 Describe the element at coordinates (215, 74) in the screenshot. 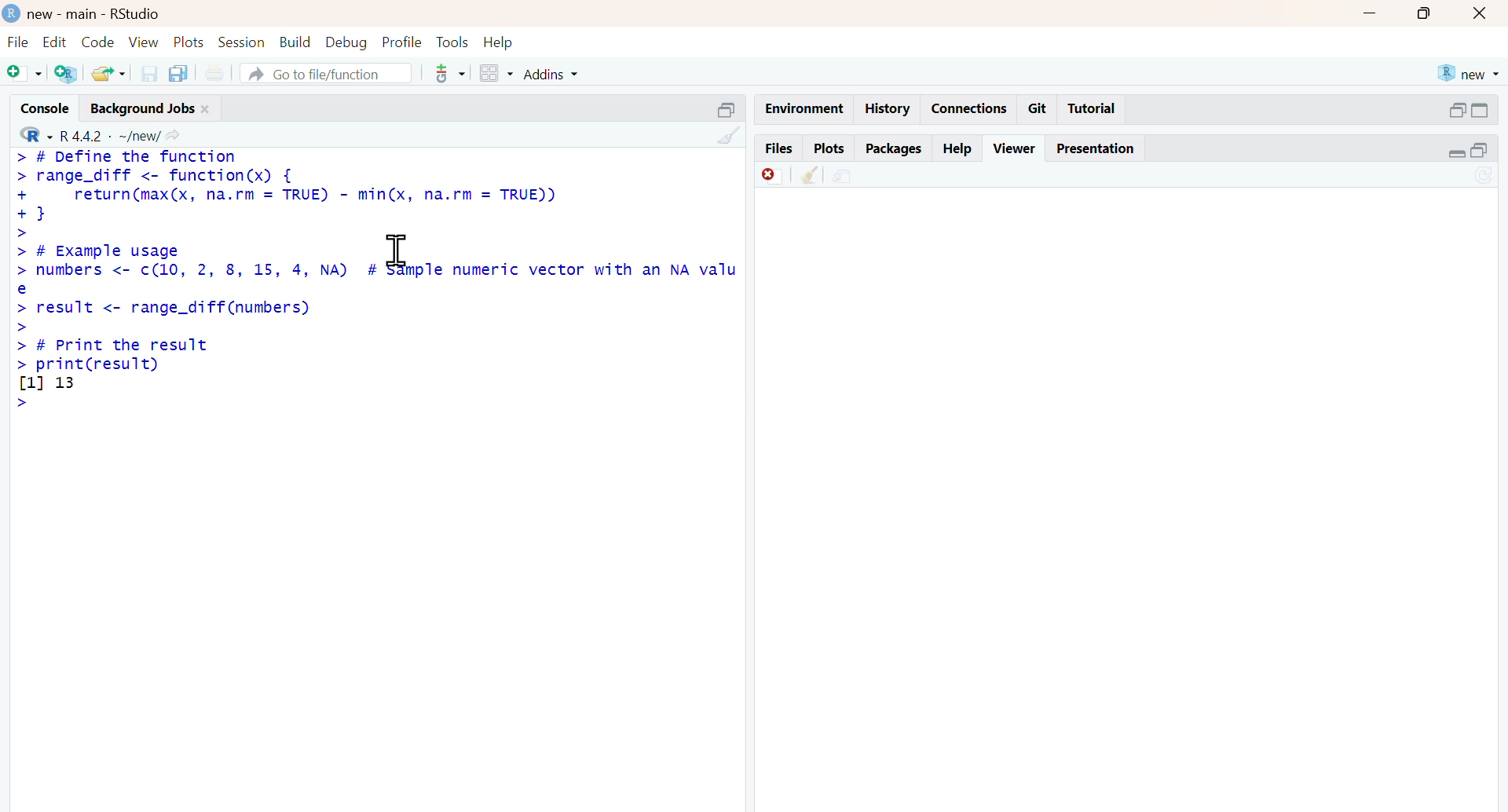

I see `print` at that location.